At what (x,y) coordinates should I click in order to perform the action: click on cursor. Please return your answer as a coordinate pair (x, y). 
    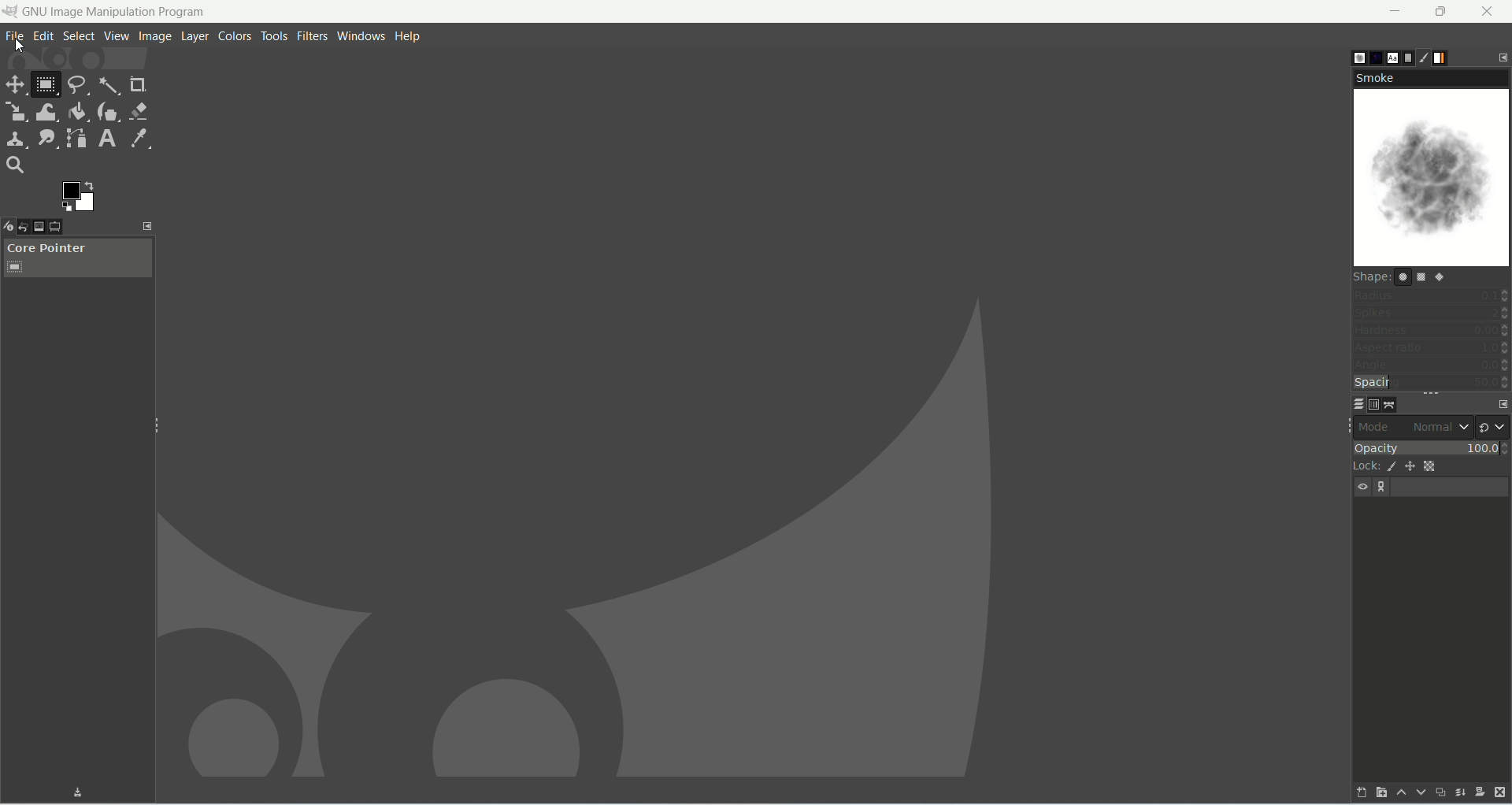
    Looking at the image, I should click on (20, 47).